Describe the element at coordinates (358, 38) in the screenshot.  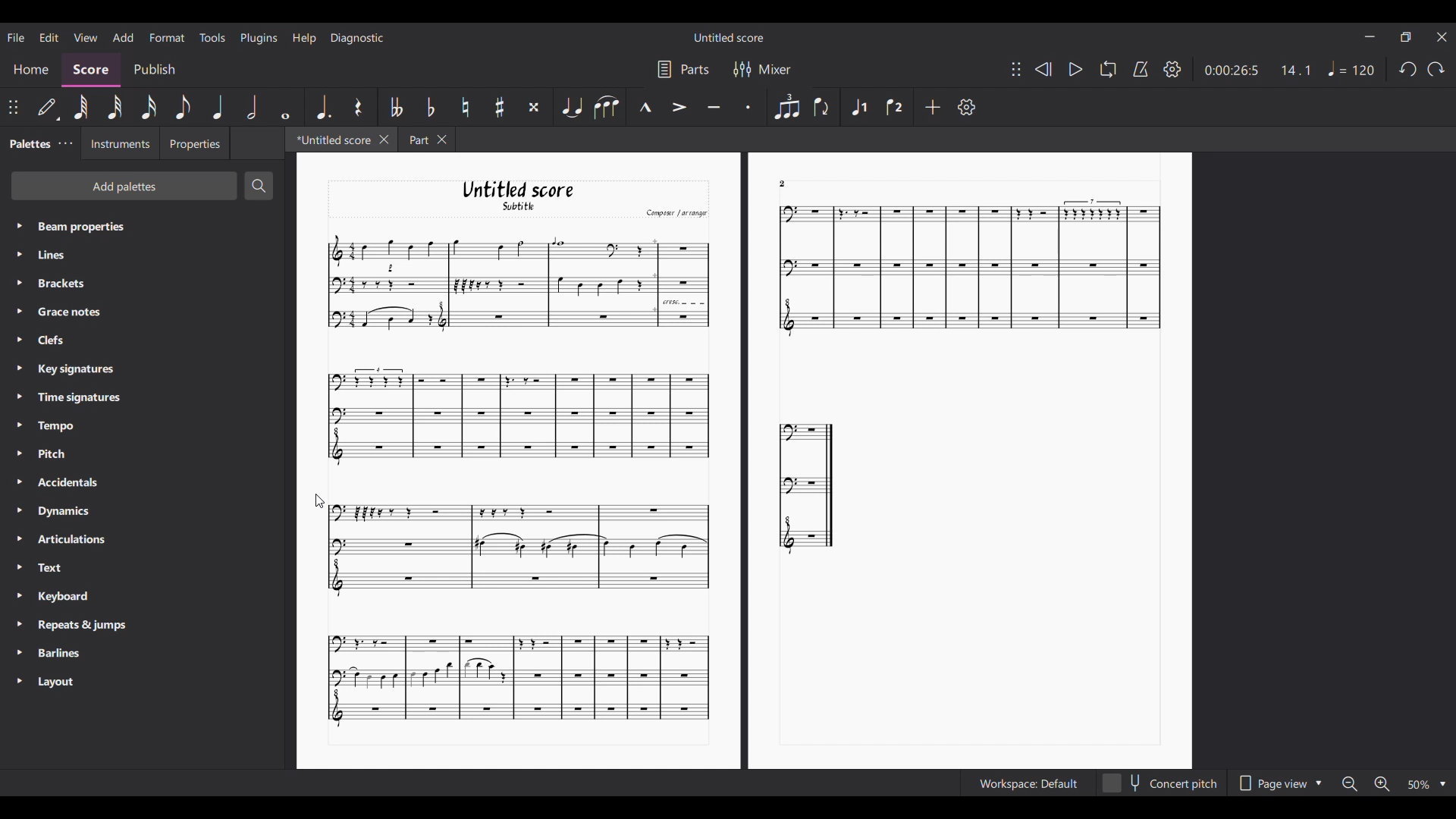
I see `Diagnostic menu` at that location.